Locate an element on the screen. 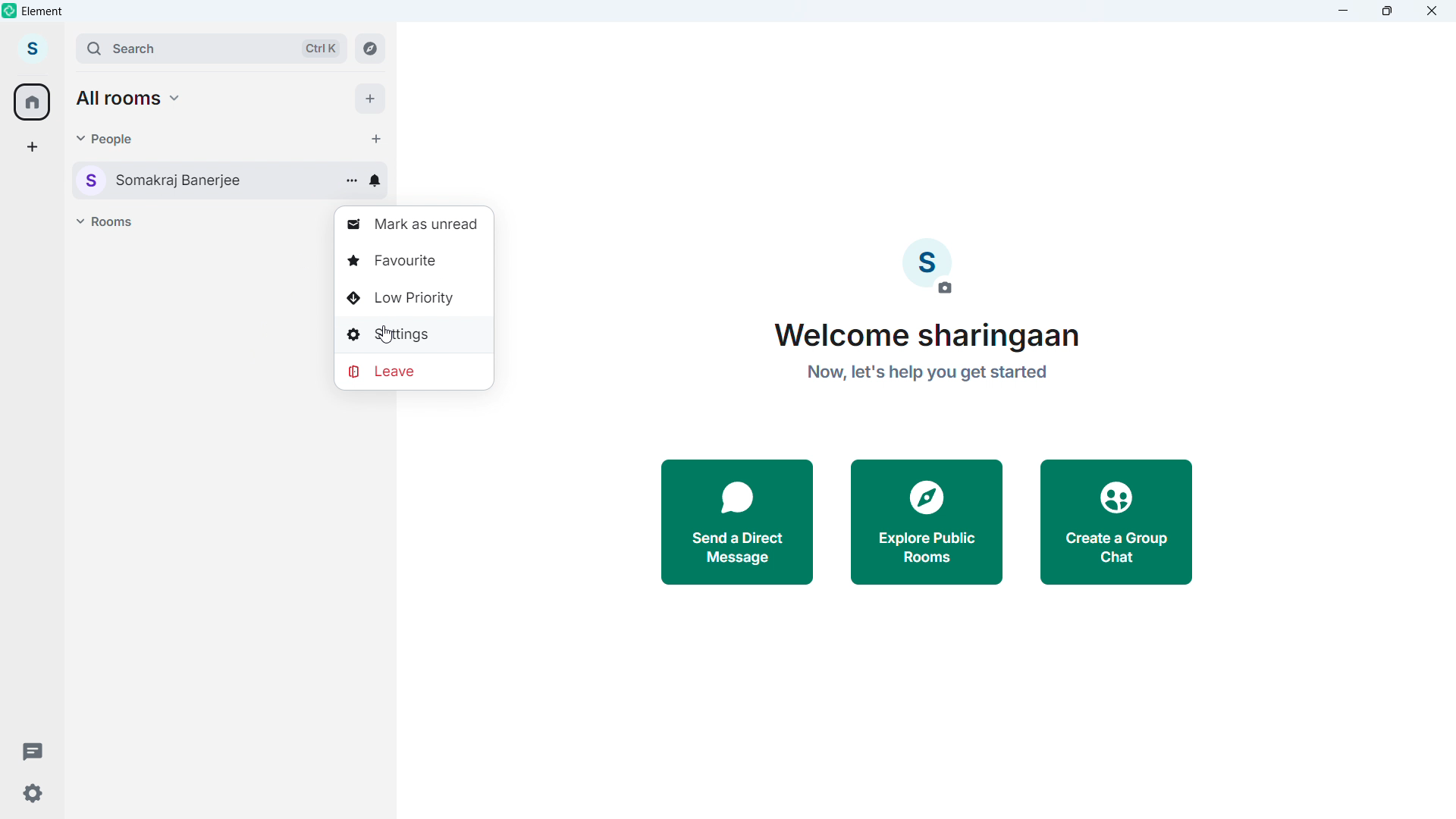 The width and height of the screenshot is (1456, 819). Welcome sharingaan is located at coordinates (933, 337).